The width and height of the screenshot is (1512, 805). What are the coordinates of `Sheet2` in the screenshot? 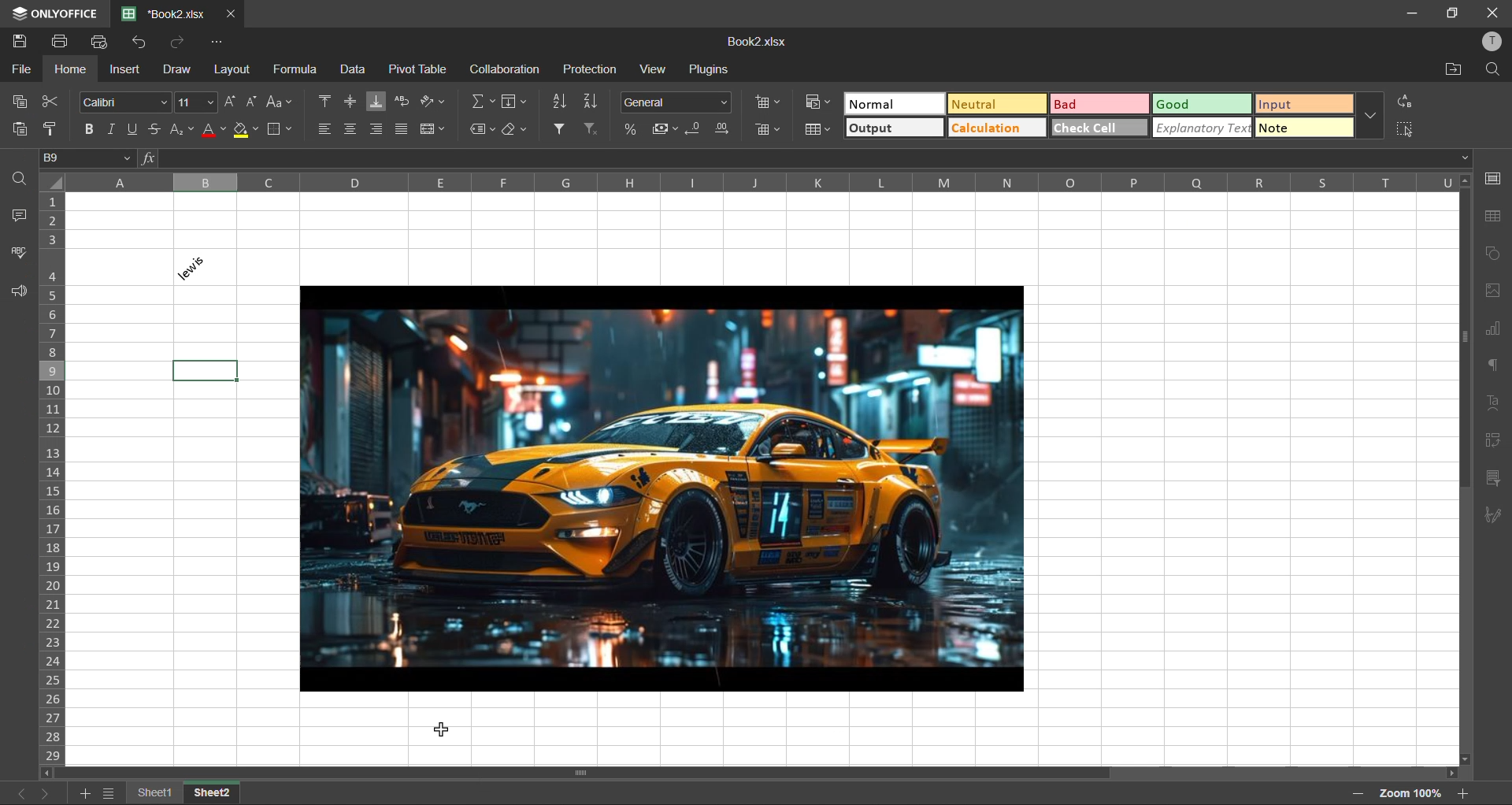 It's located at (220, 792).